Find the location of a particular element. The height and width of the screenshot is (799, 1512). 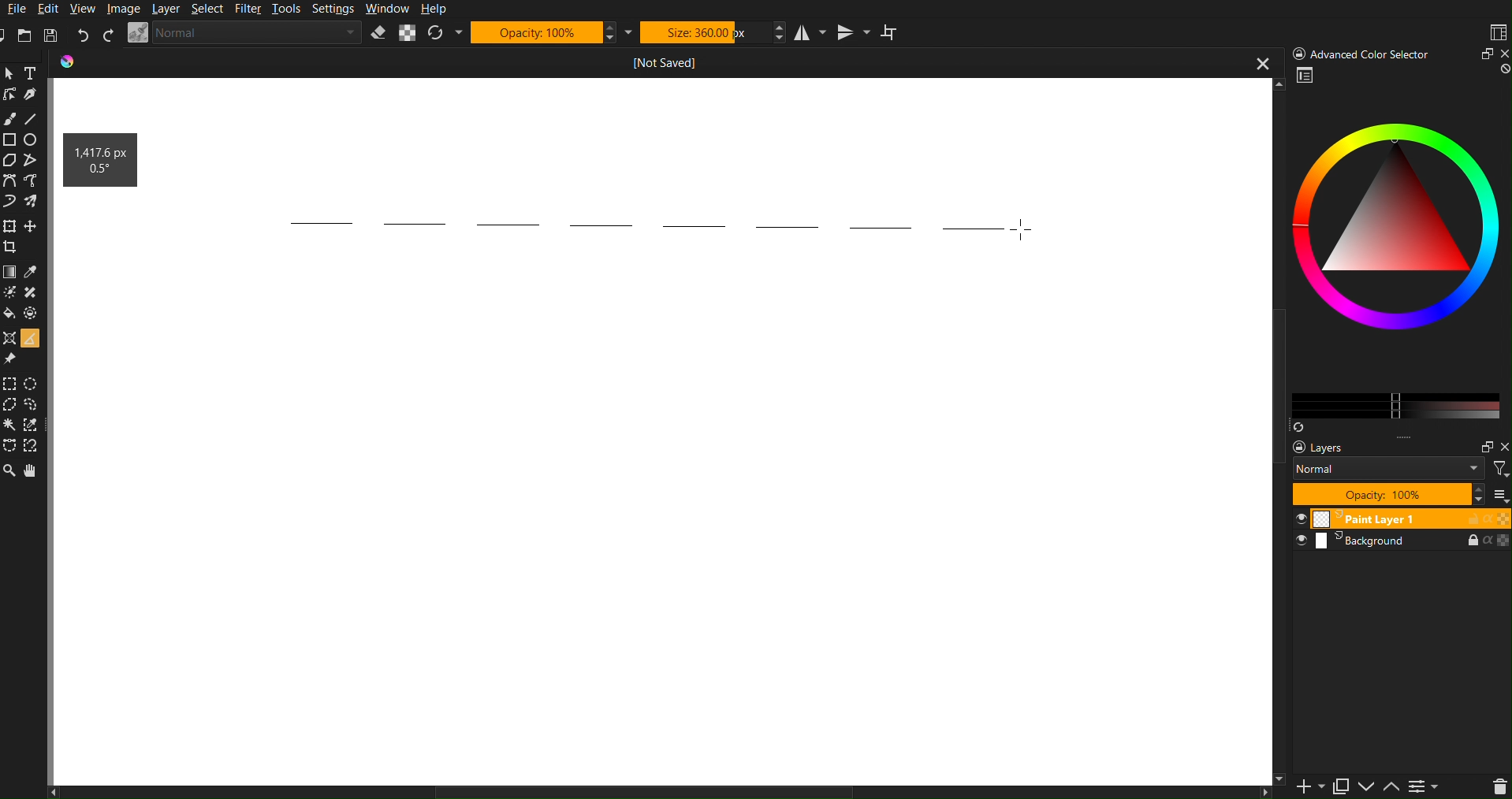

Move is located at coordinates (32, 470).